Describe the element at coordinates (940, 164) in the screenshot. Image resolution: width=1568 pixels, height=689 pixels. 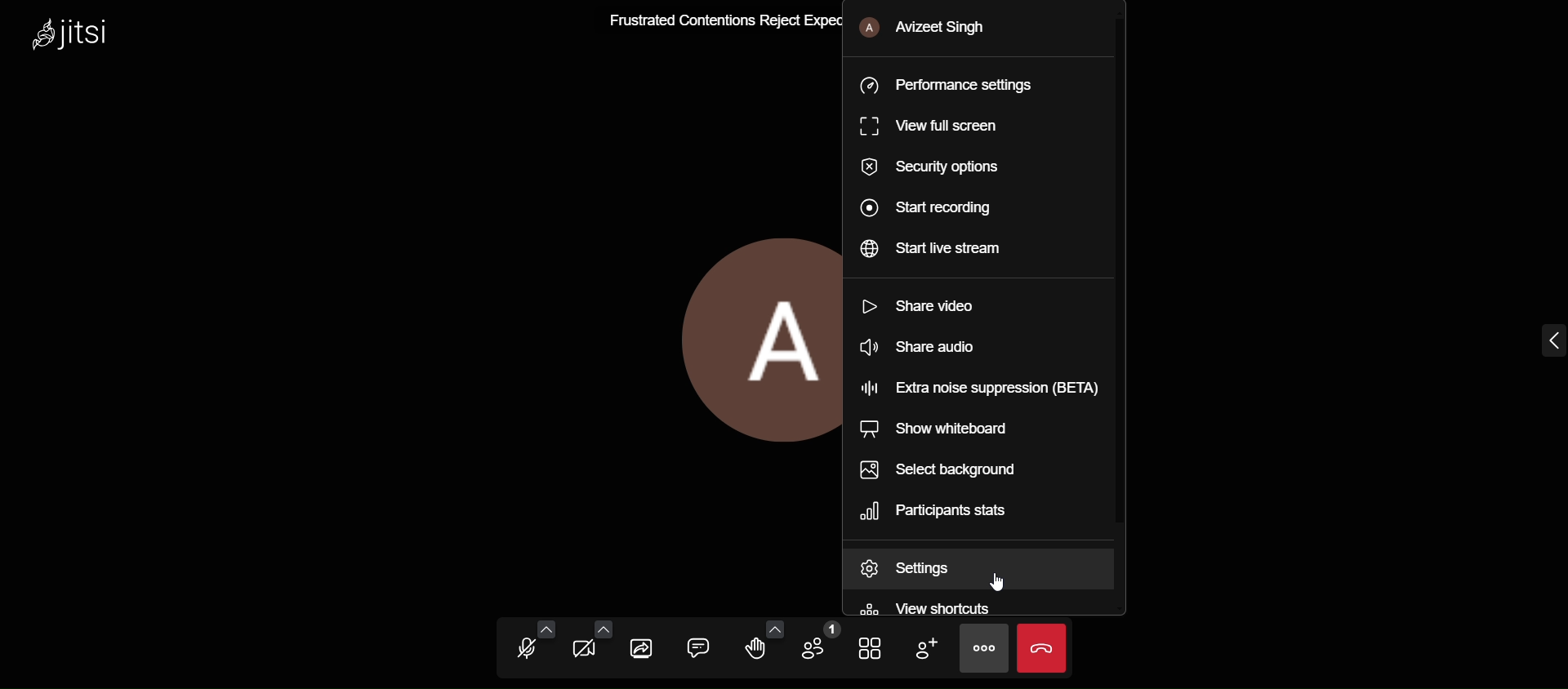
I see `security option` at that location.